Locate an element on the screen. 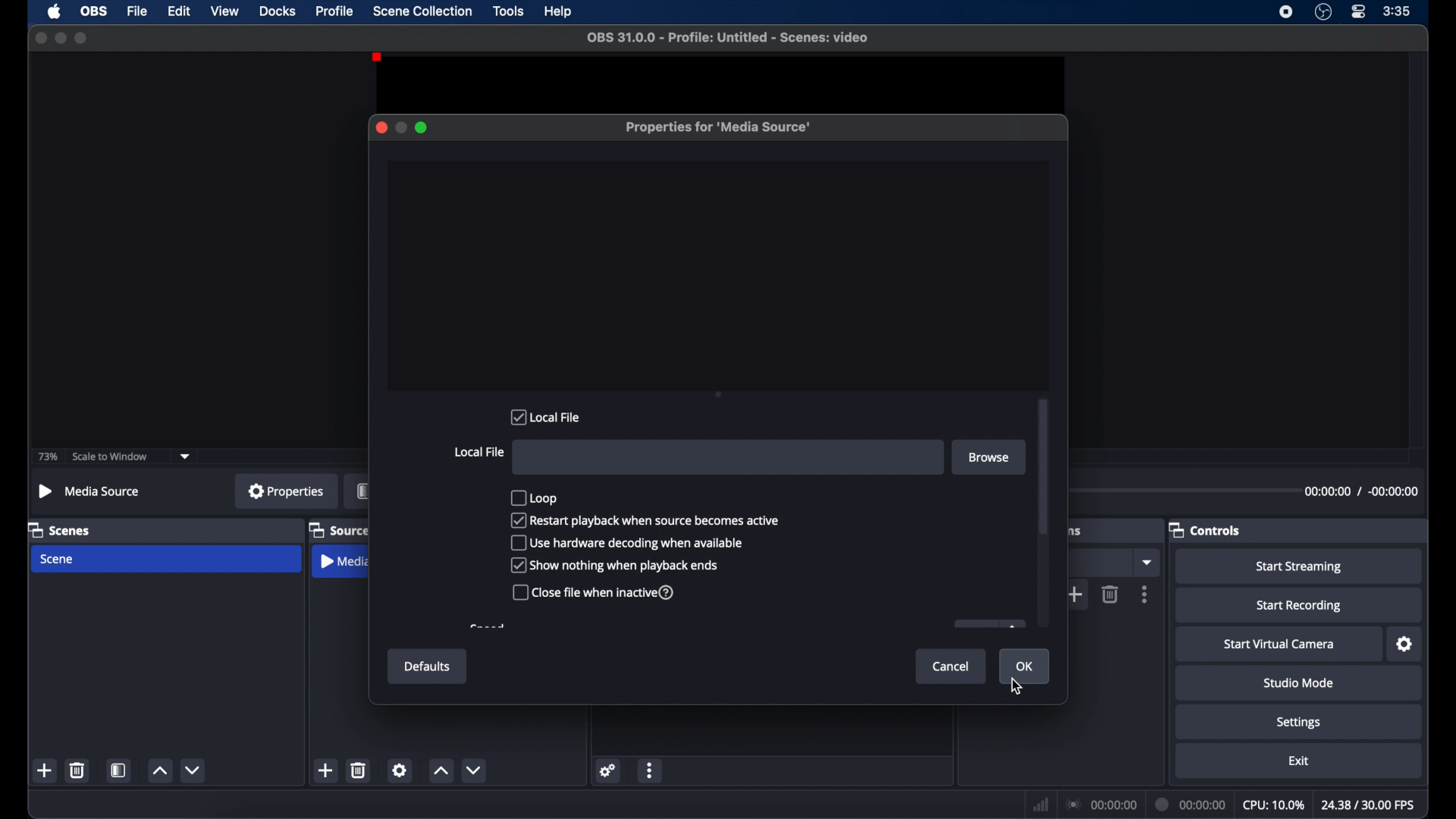 Image resolution: width=1456 pixels, height=819 pixels. scroll bar is located at coordinates (1043, 467).